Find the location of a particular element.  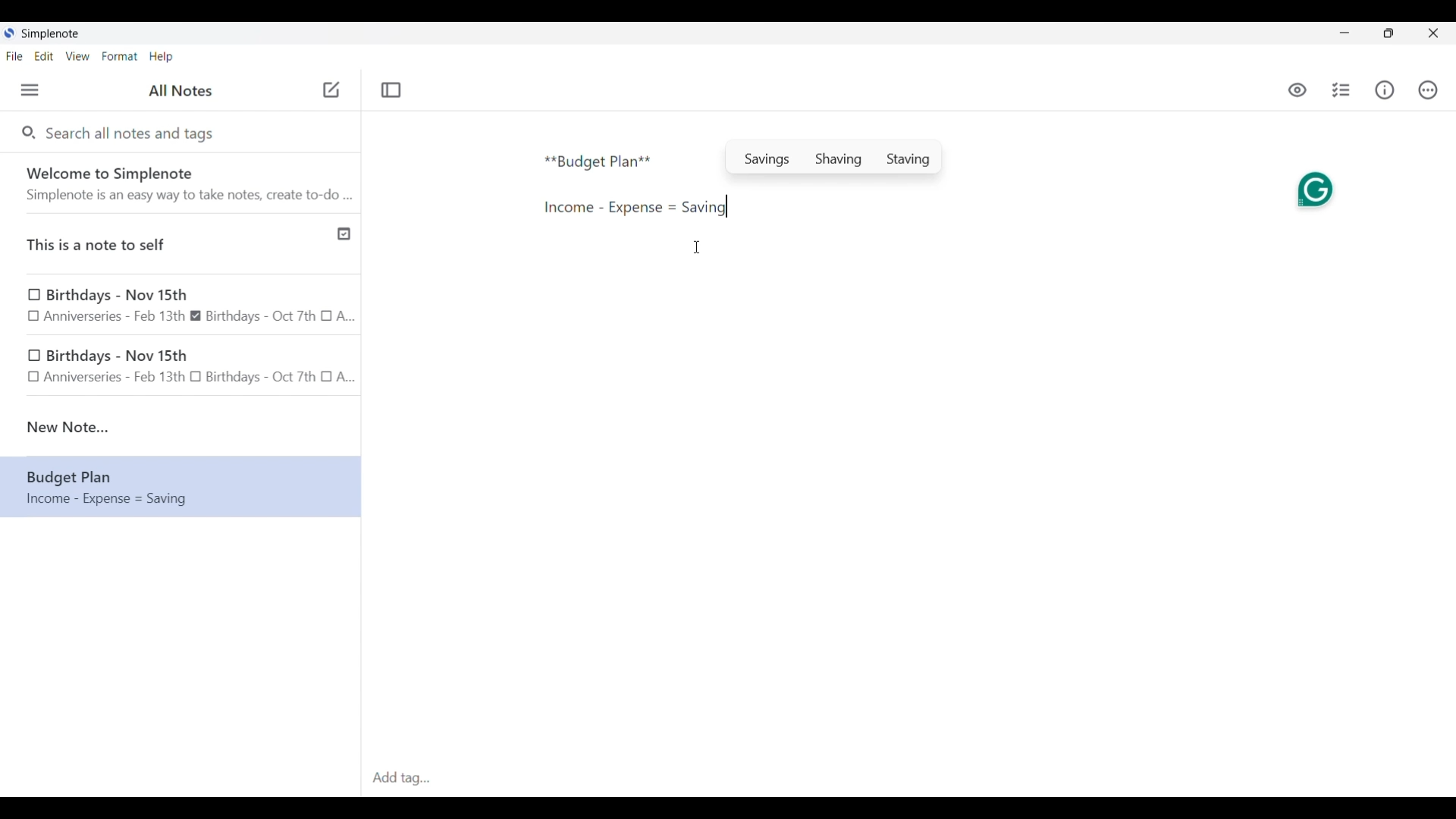

Search all notes and tags is located at coordinates (133, 132).